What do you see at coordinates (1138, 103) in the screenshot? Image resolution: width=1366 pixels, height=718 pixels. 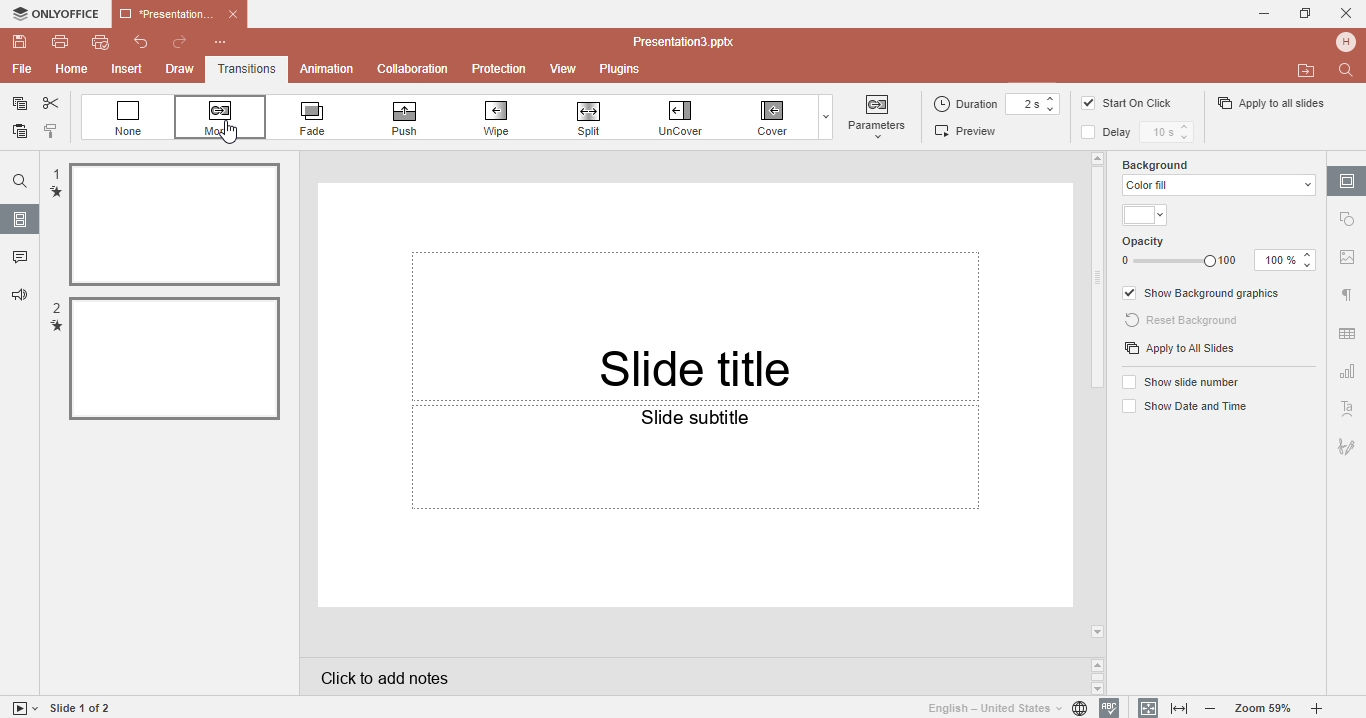 I see `Start on click` at bounding box center [1138, 103].